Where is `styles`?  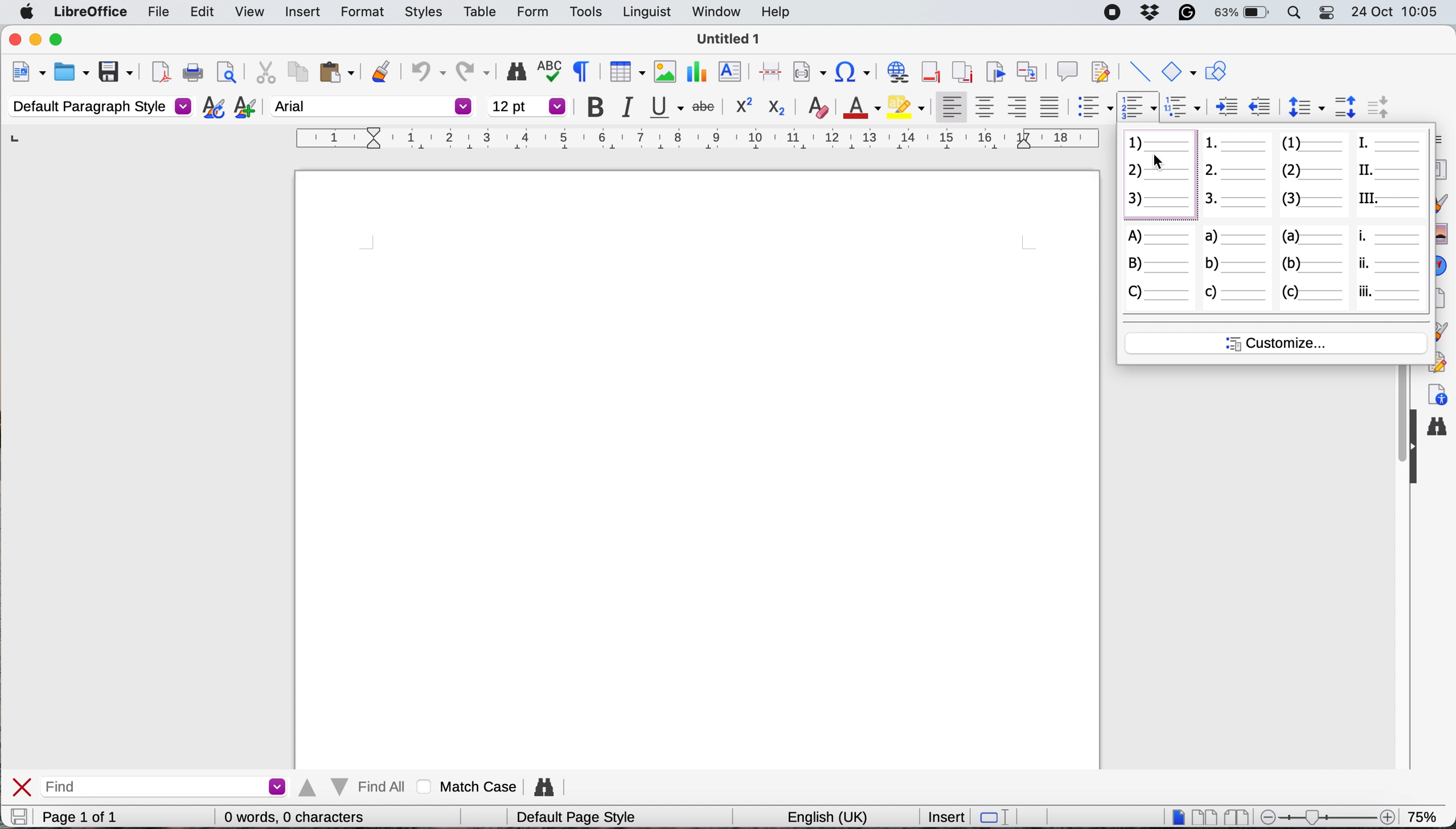
styles is located at coordinates (424, 13).